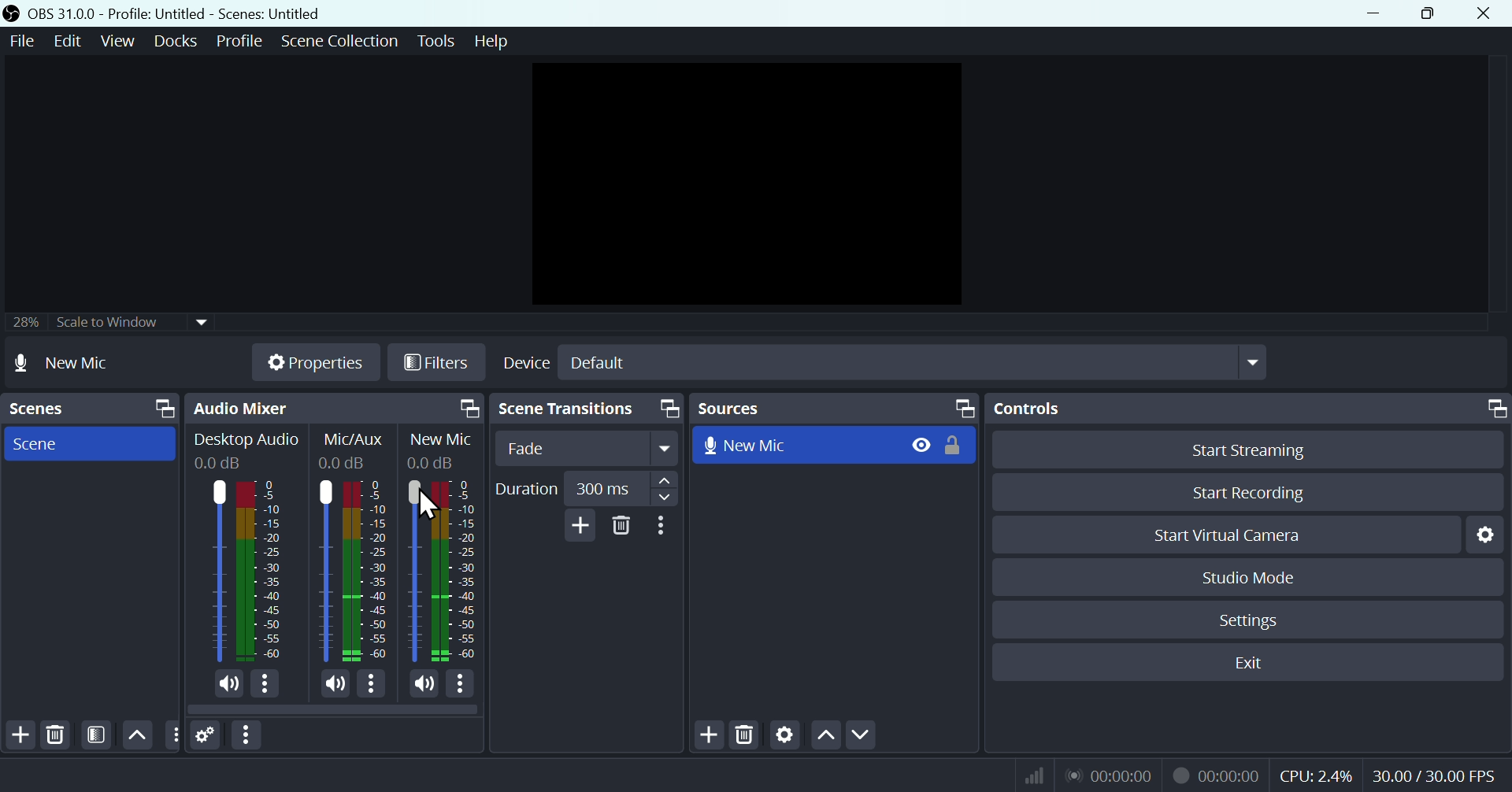 Image resolution: width=1512 pixels, height=792 pixels. Describe the element at coordinates (1032, 774) in the screenshot. I see `Bitrate` at that location.